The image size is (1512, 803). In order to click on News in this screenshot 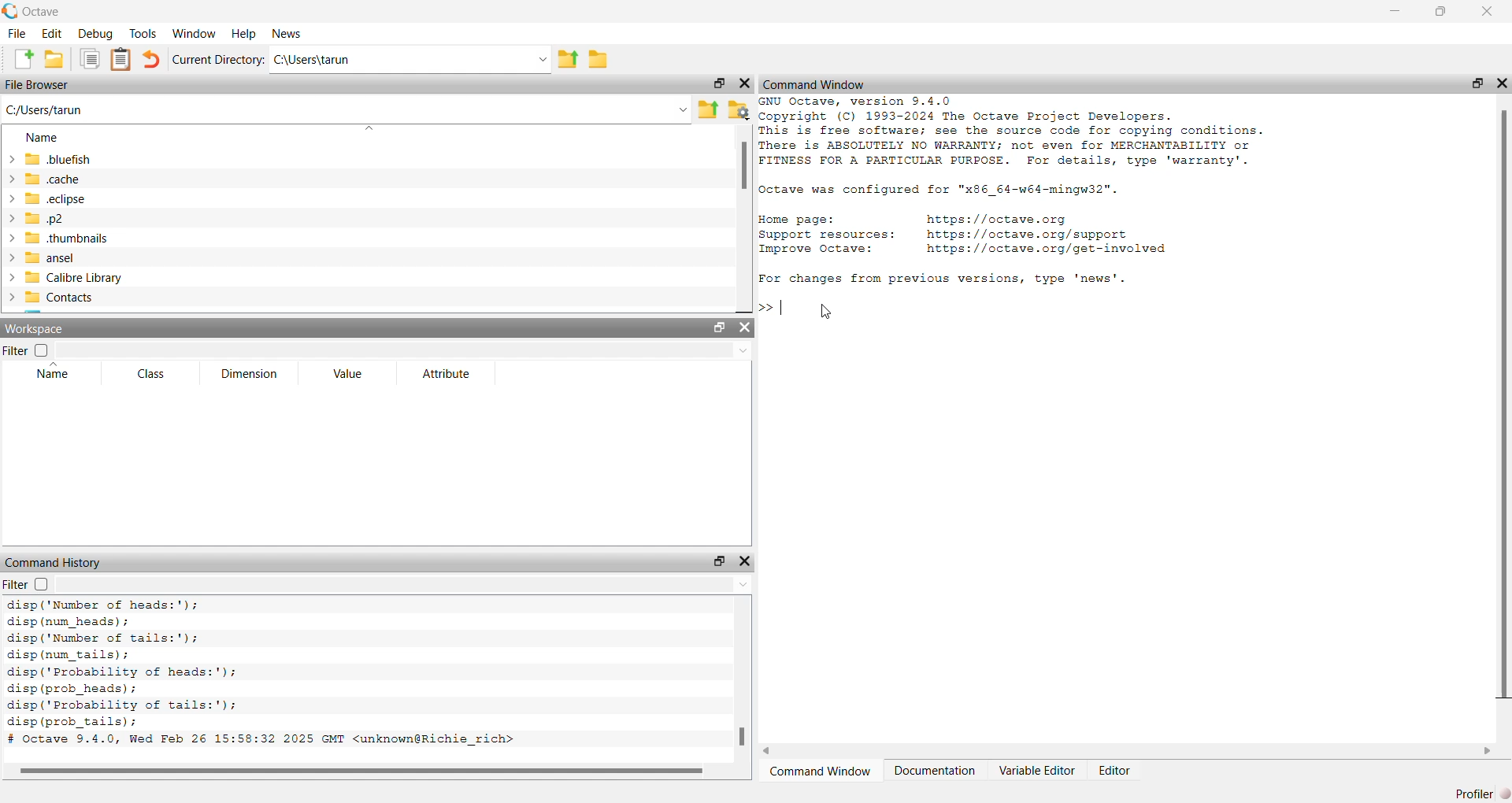, I will do `click(284, 32)`.